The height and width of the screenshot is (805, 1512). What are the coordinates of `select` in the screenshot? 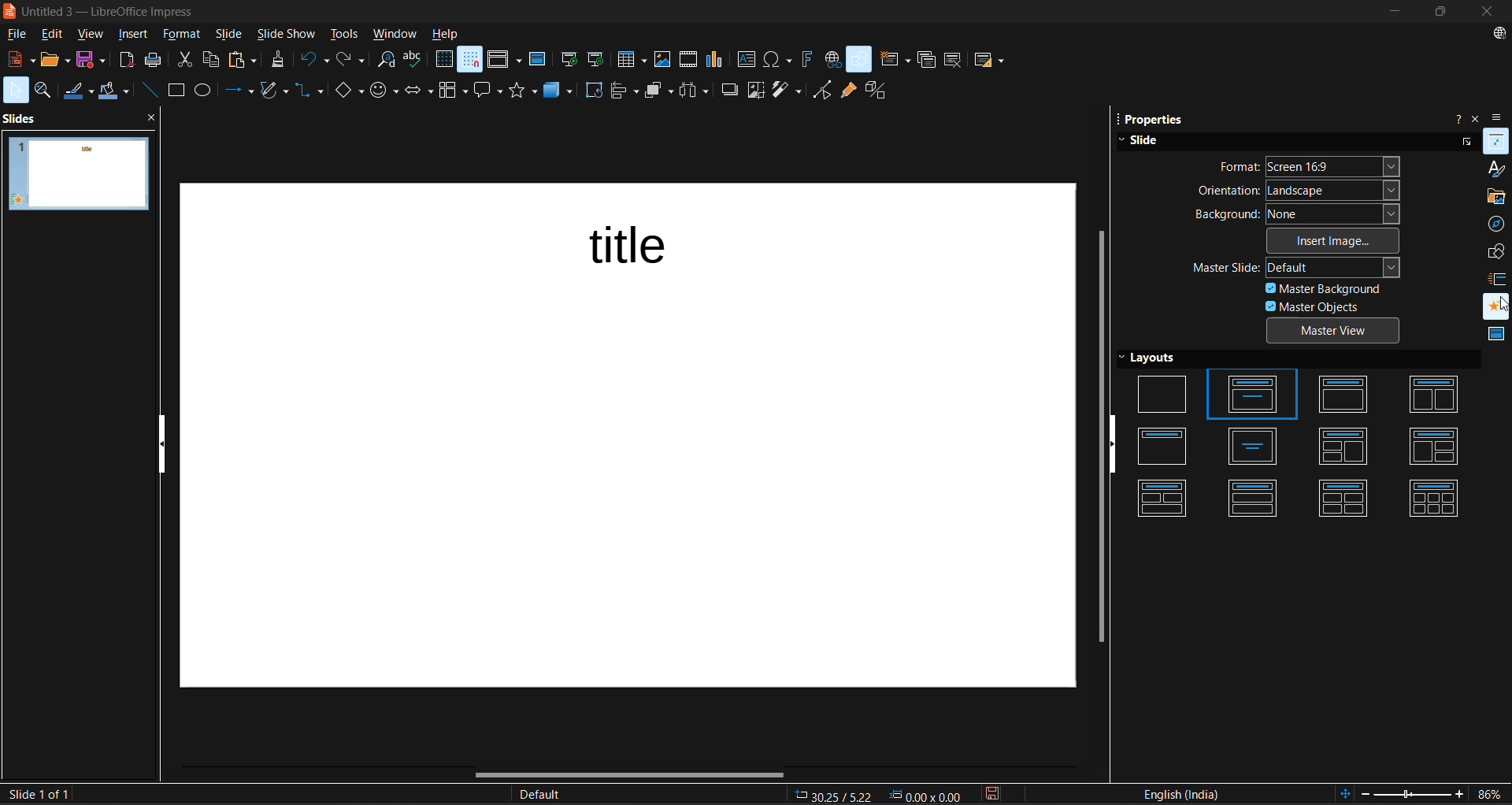 It's located at (16, 89).